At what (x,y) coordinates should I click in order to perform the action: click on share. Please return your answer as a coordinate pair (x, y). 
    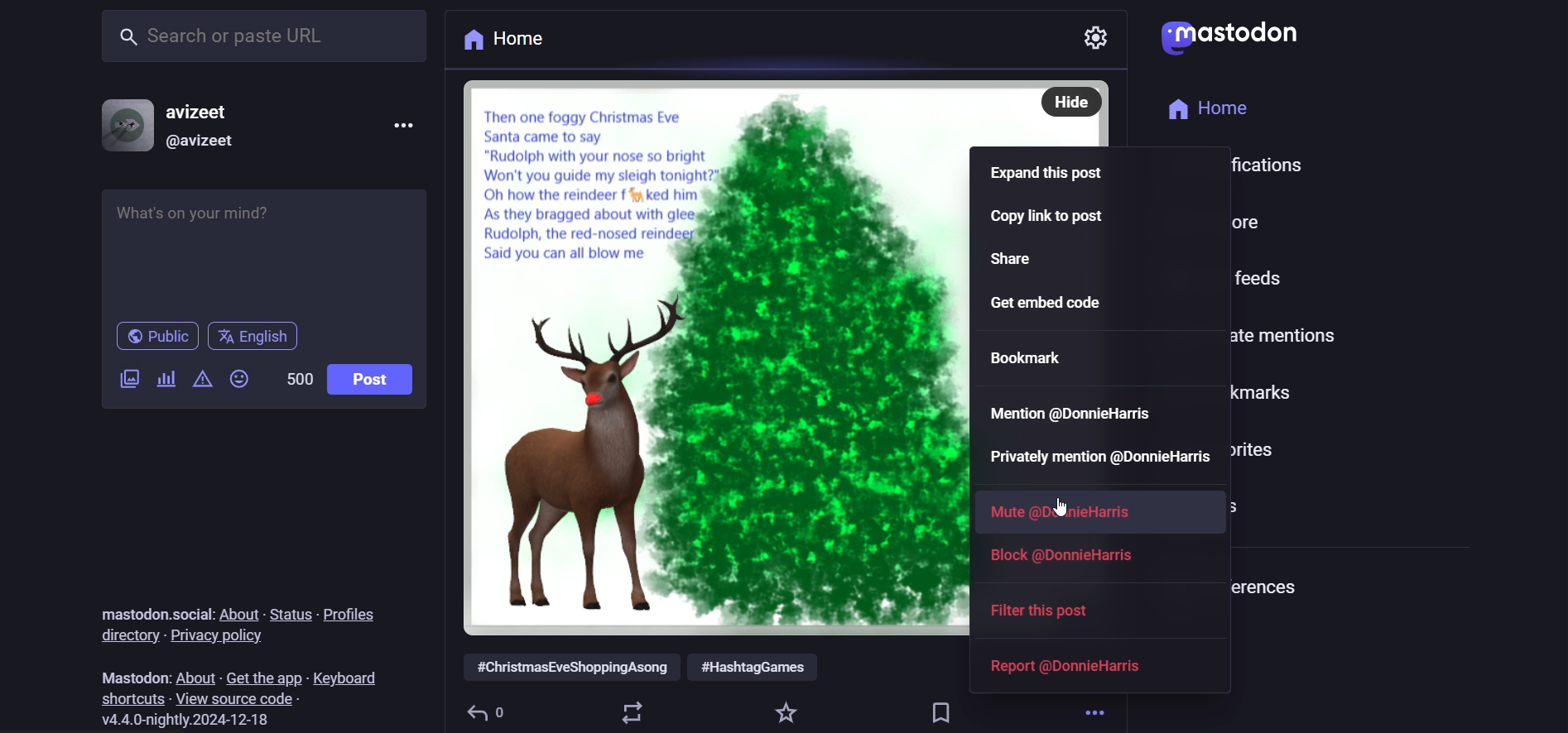
    Looking at the image, I should click on (1017, 261).